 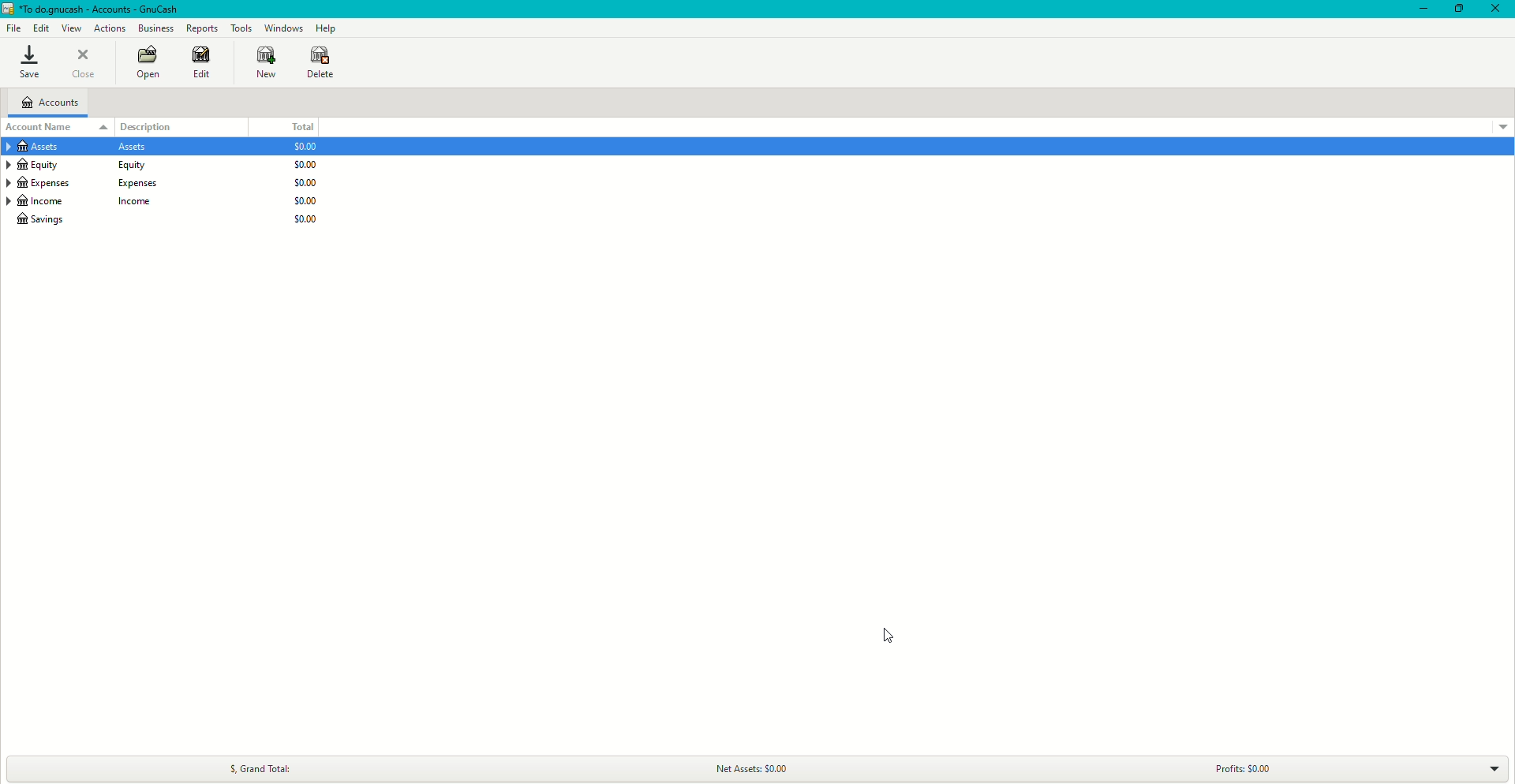 I want to click on New, so click(x=258, y=62).